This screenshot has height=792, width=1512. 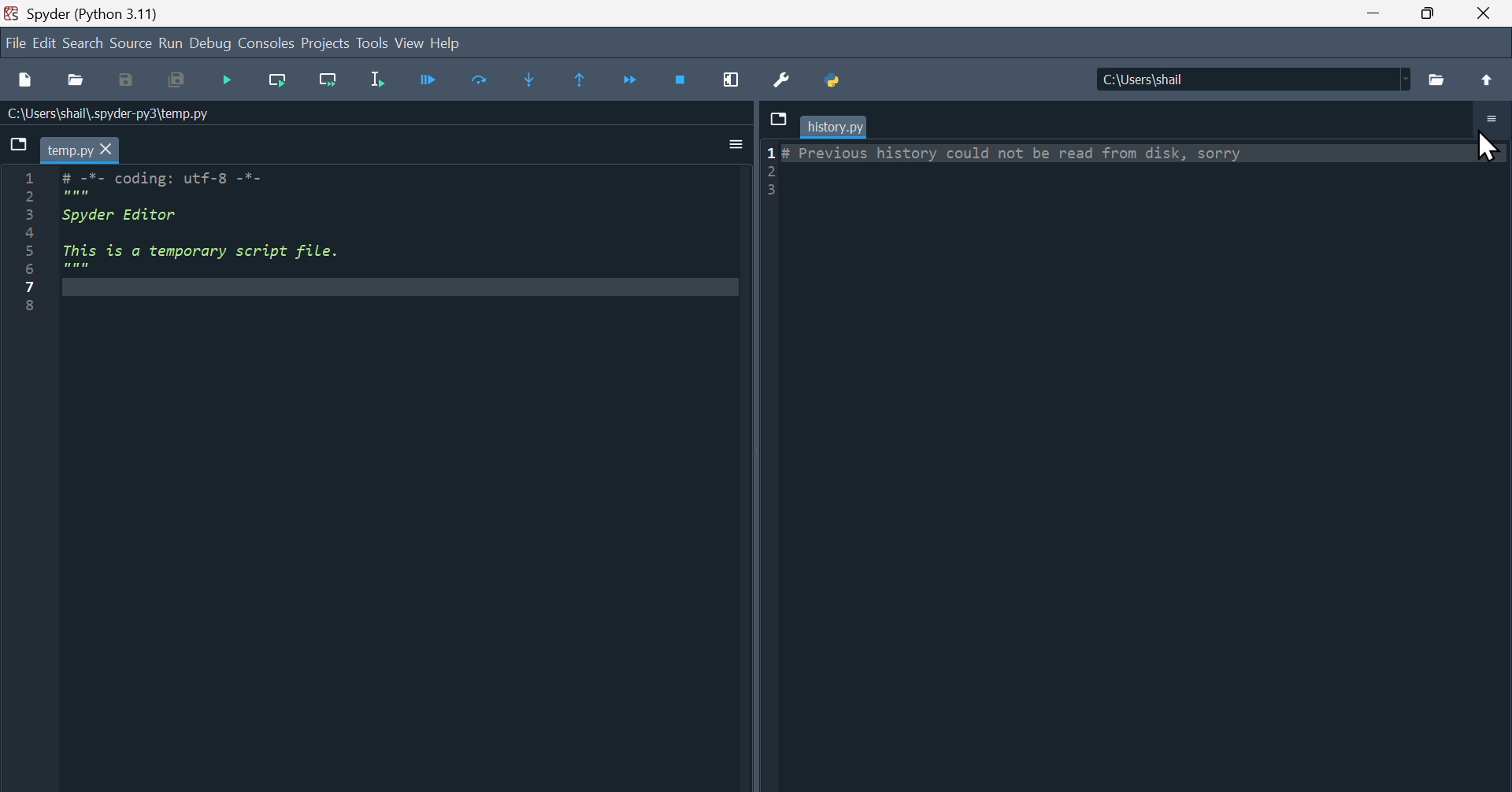 I want to click on source, so click(x=131, y=43).